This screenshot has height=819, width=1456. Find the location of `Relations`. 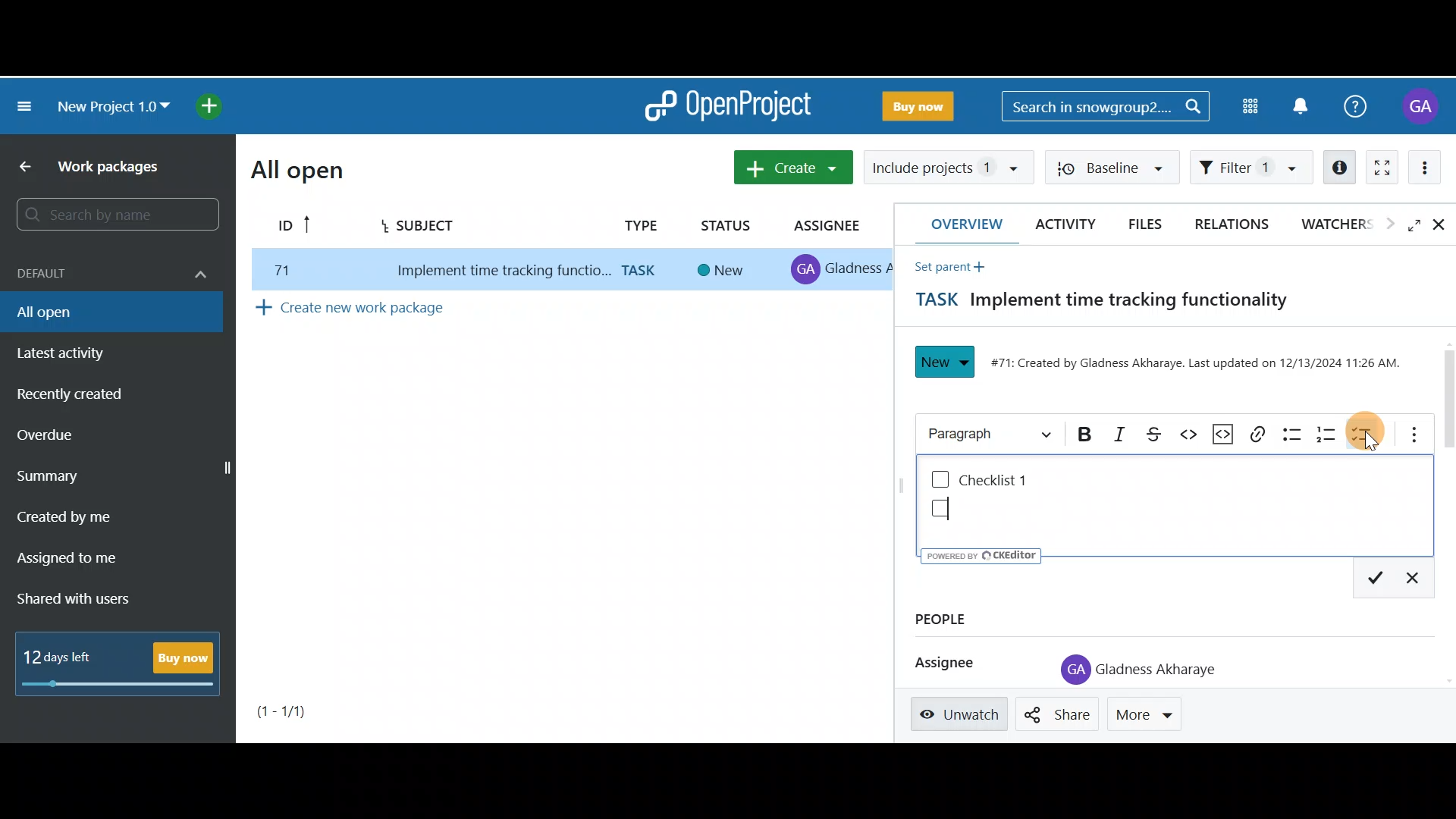

Relations is located at coordinates (1233, 223).